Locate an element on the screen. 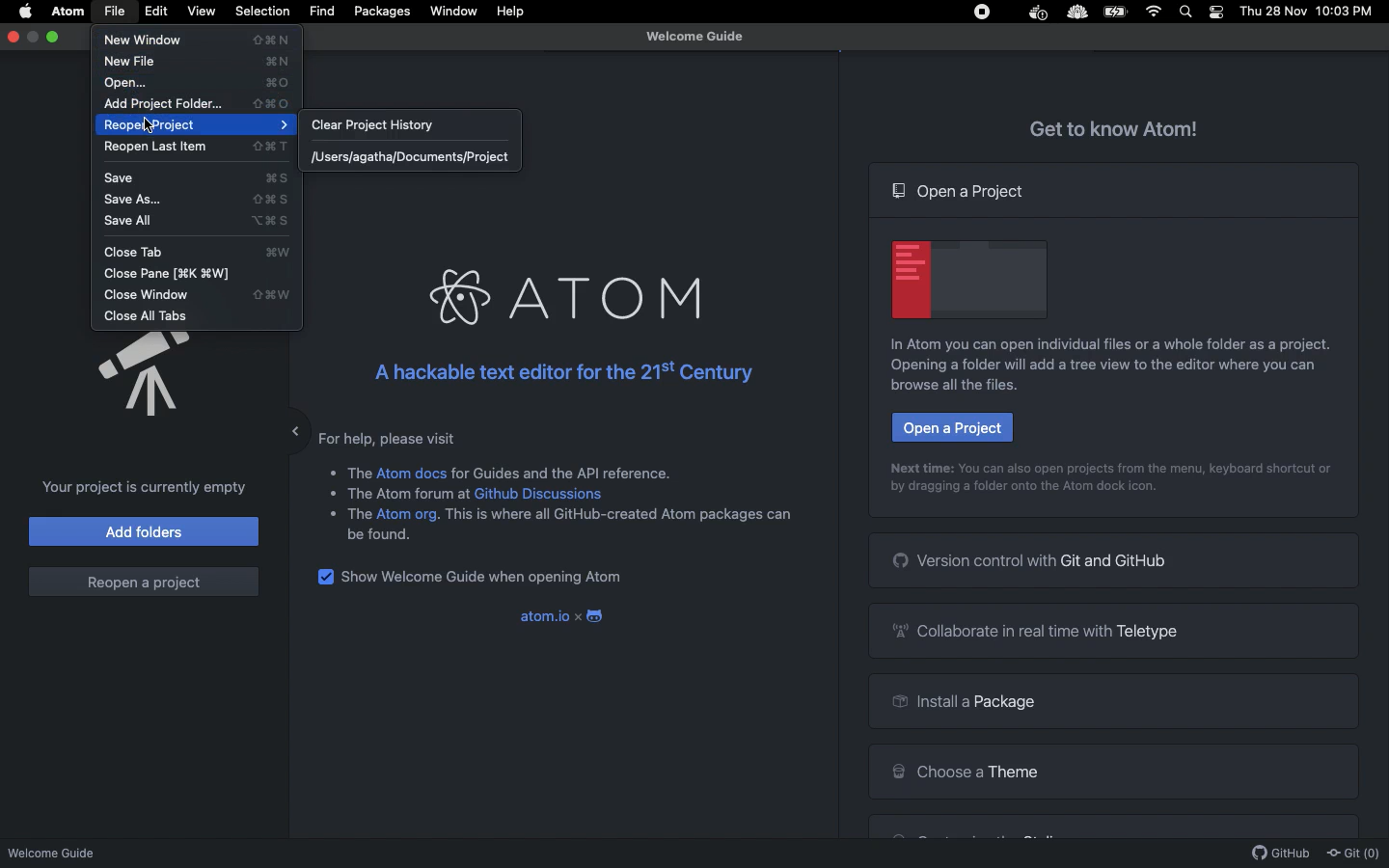 Image resolution: width=1389 pixels, height=868 pixels. Welcome guide is located at coordinates (694, 37).